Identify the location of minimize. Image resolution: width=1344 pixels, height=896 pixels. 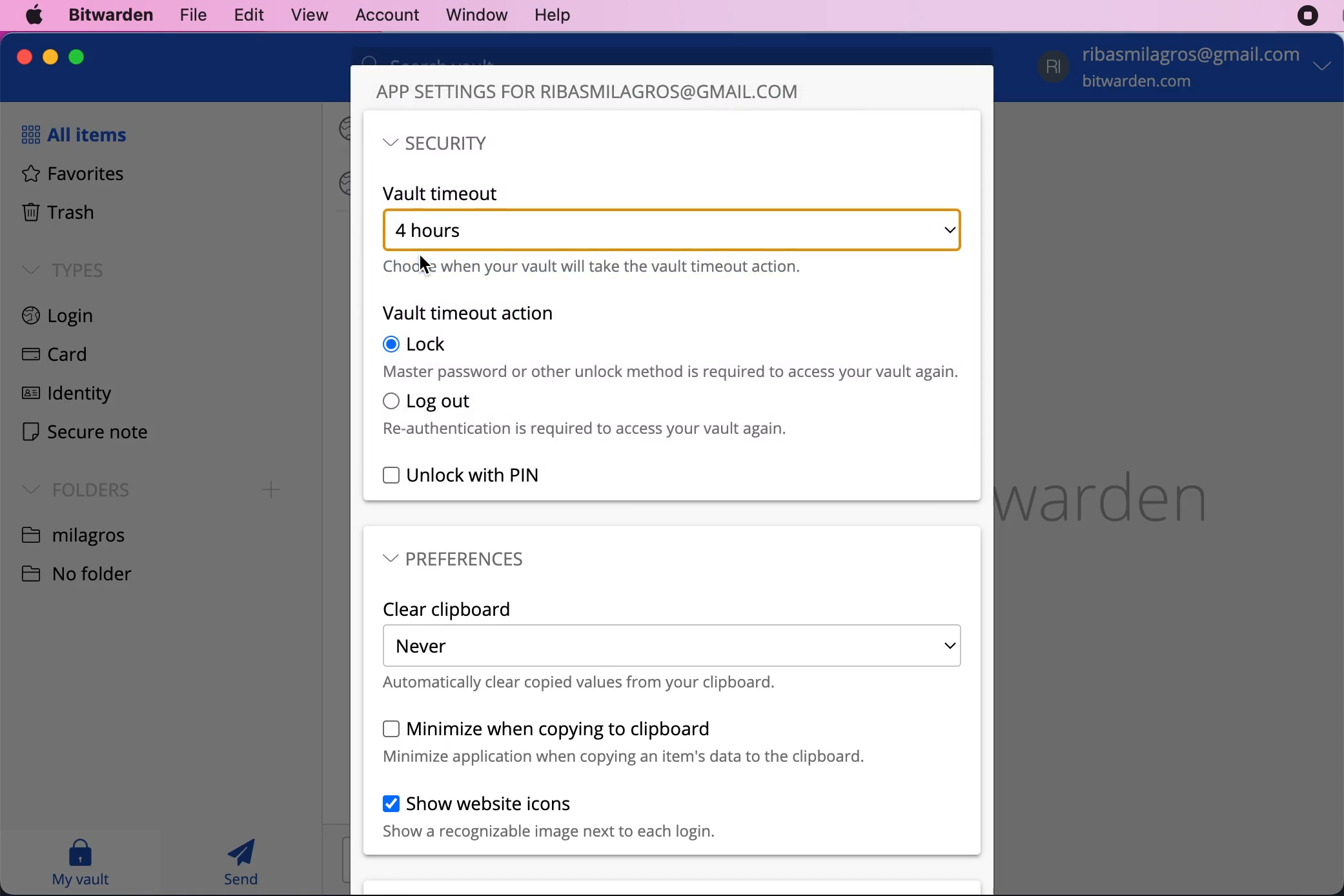
(50, 57).